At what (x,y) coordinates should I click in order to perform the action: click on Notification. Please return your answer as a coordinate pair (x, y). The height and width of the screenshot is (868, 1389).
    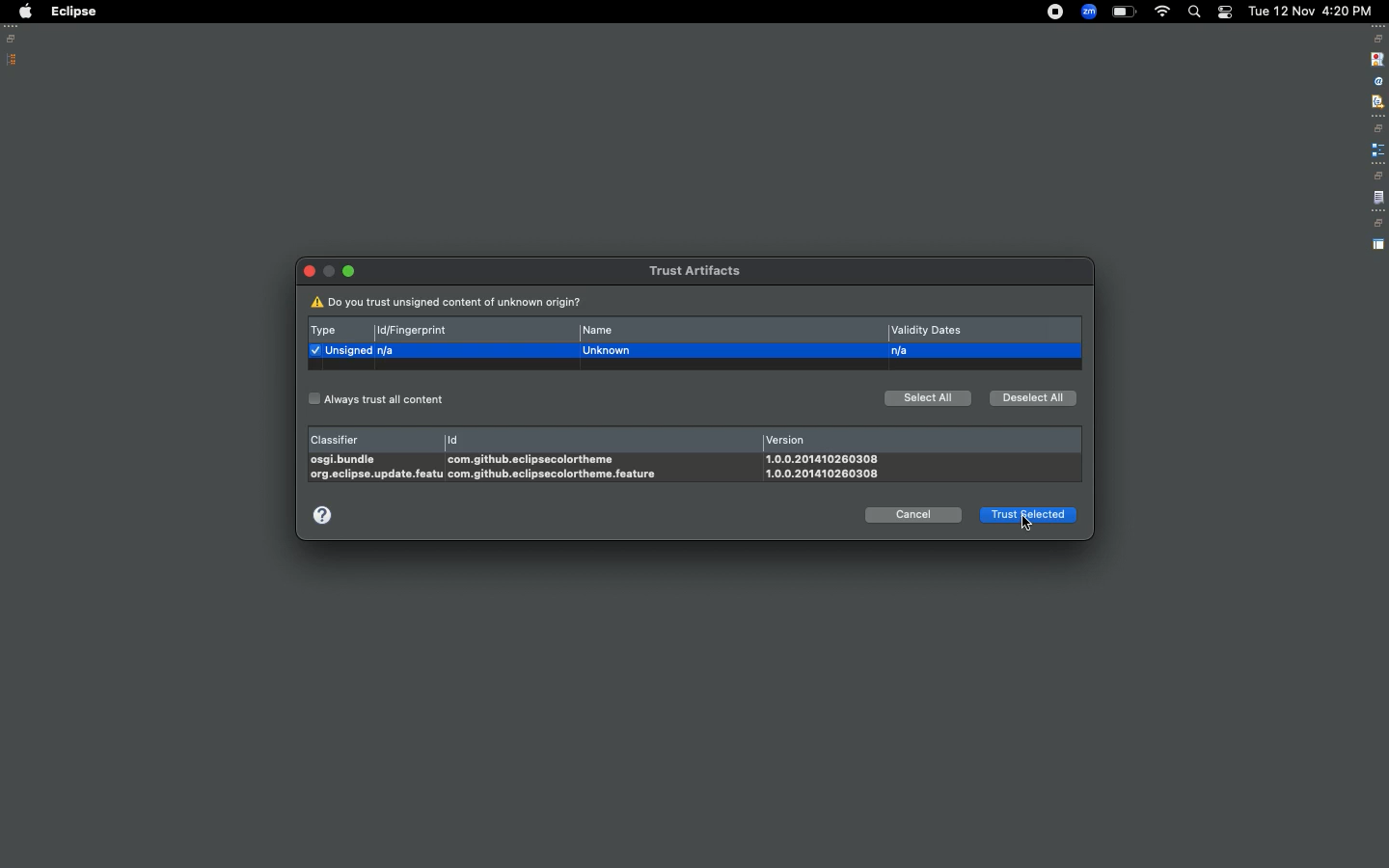
    Looking at the image, I should click on (1224, 13).